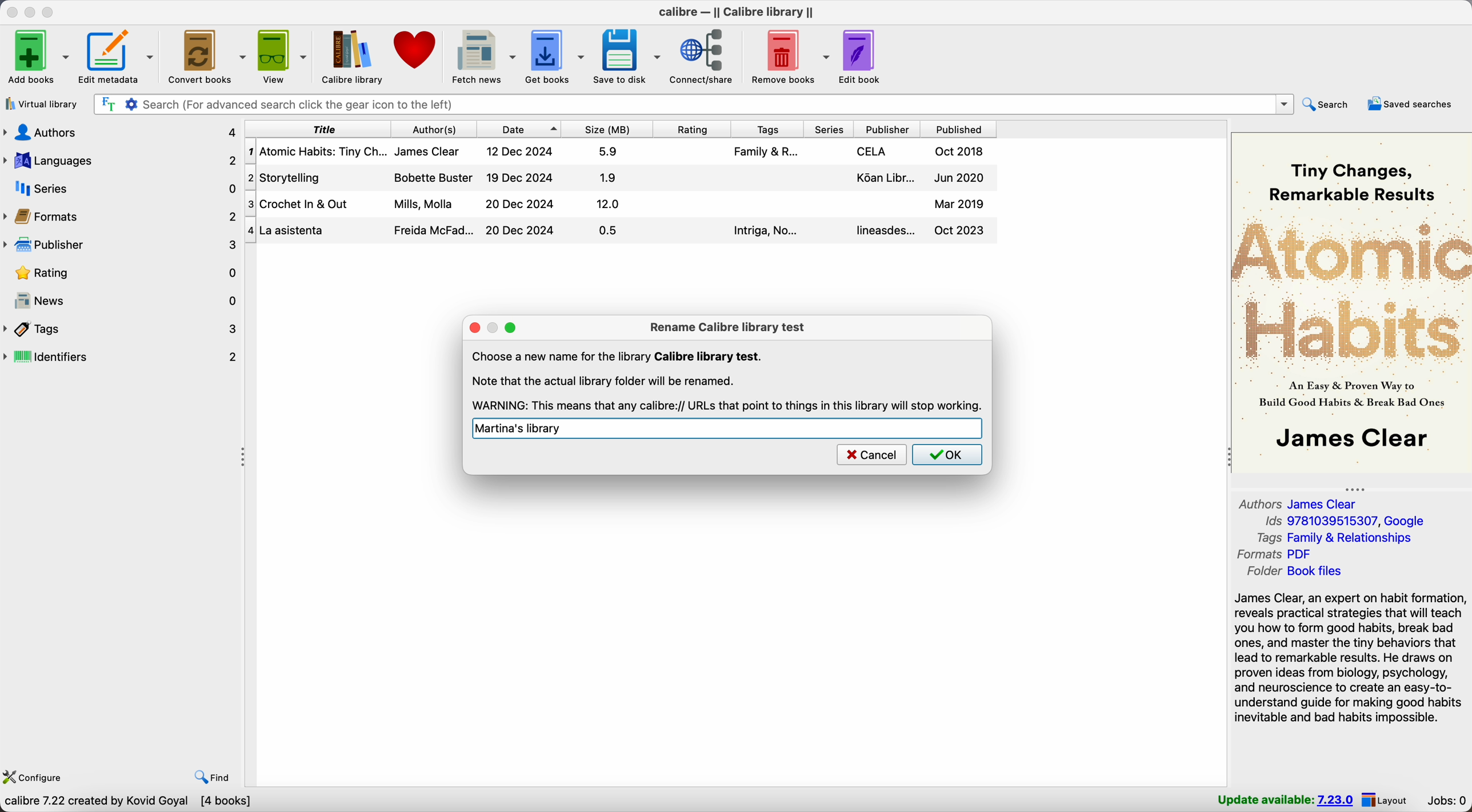 The image size is (1472, 812). Describe the element at coordinates (207, 56) in the screenshot. I see `convert books` at that location.